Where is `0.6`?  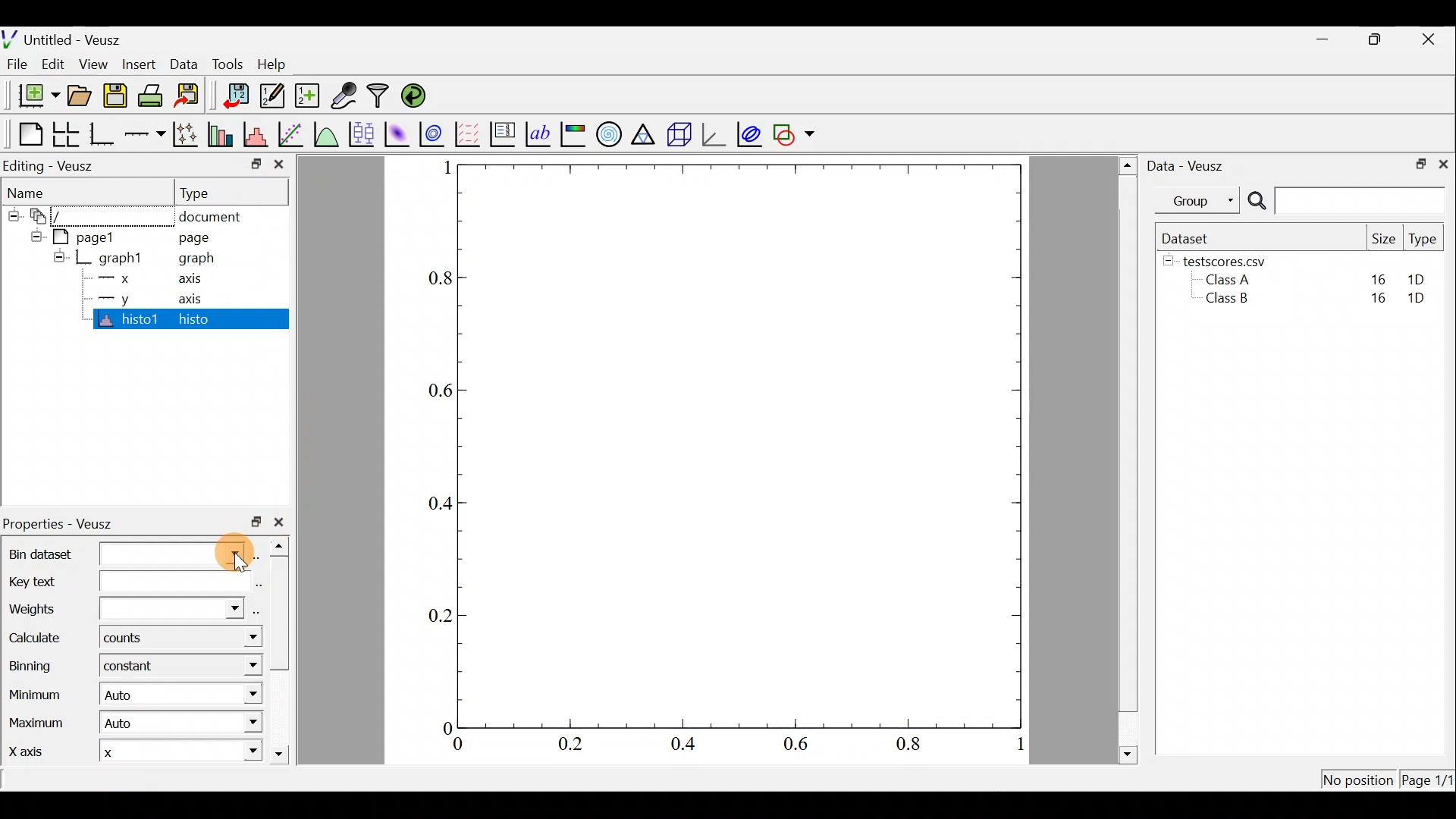 0.6 is located at coordinates (436, 389).